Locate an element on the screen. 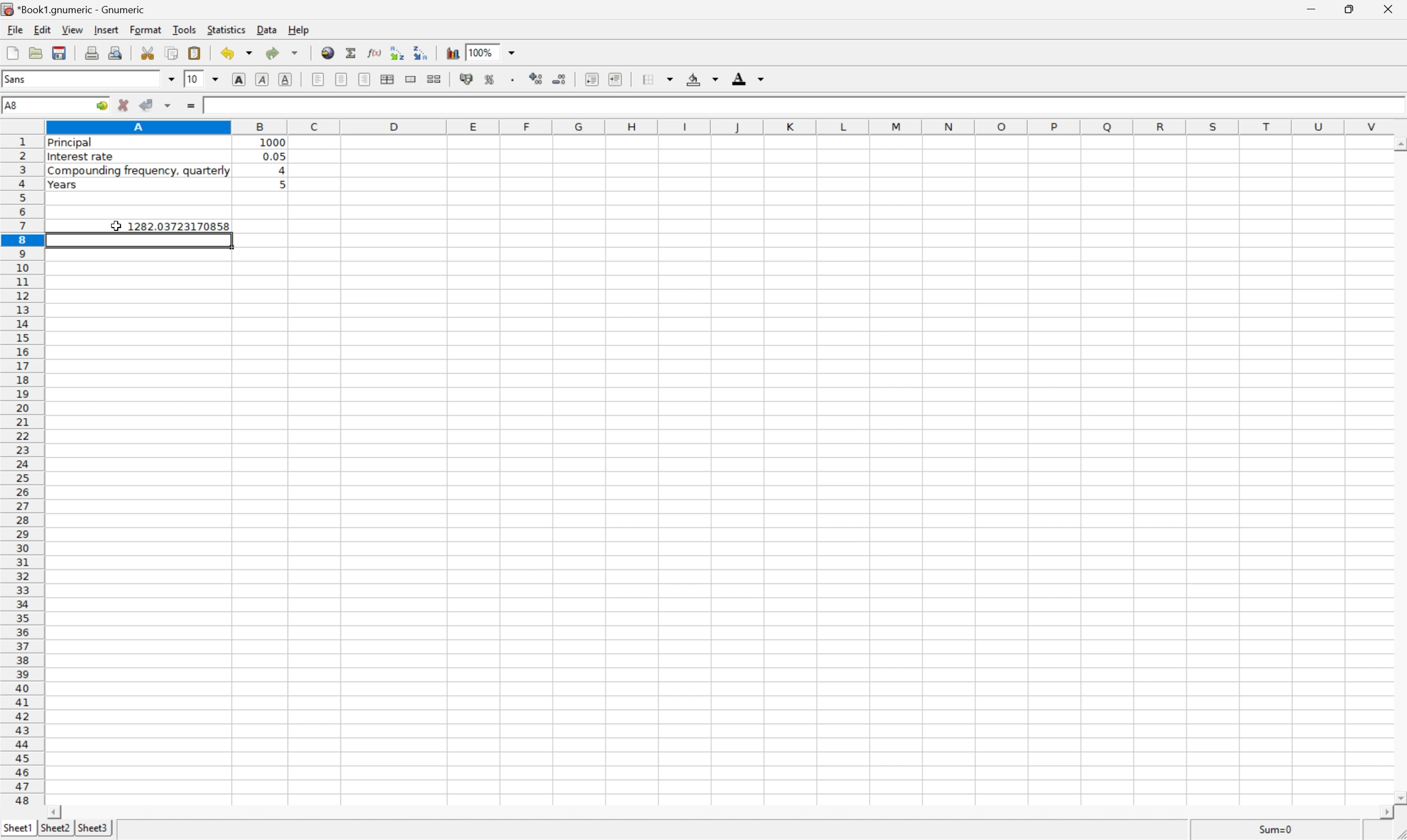 The image size is (1407, 840). increase indent is located at coordinates (617, 79).